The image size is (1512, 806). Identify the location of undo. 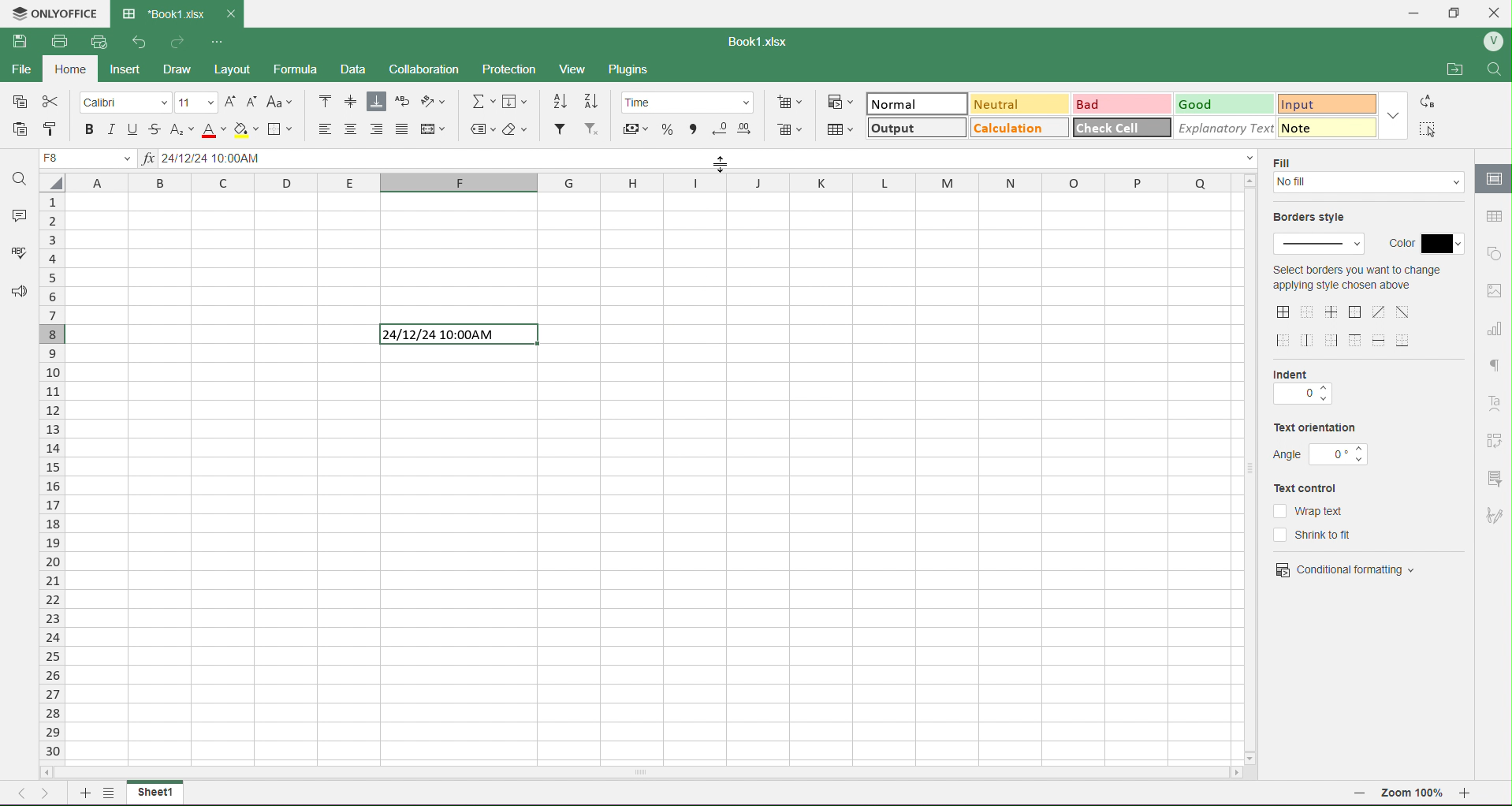
(135, 42).